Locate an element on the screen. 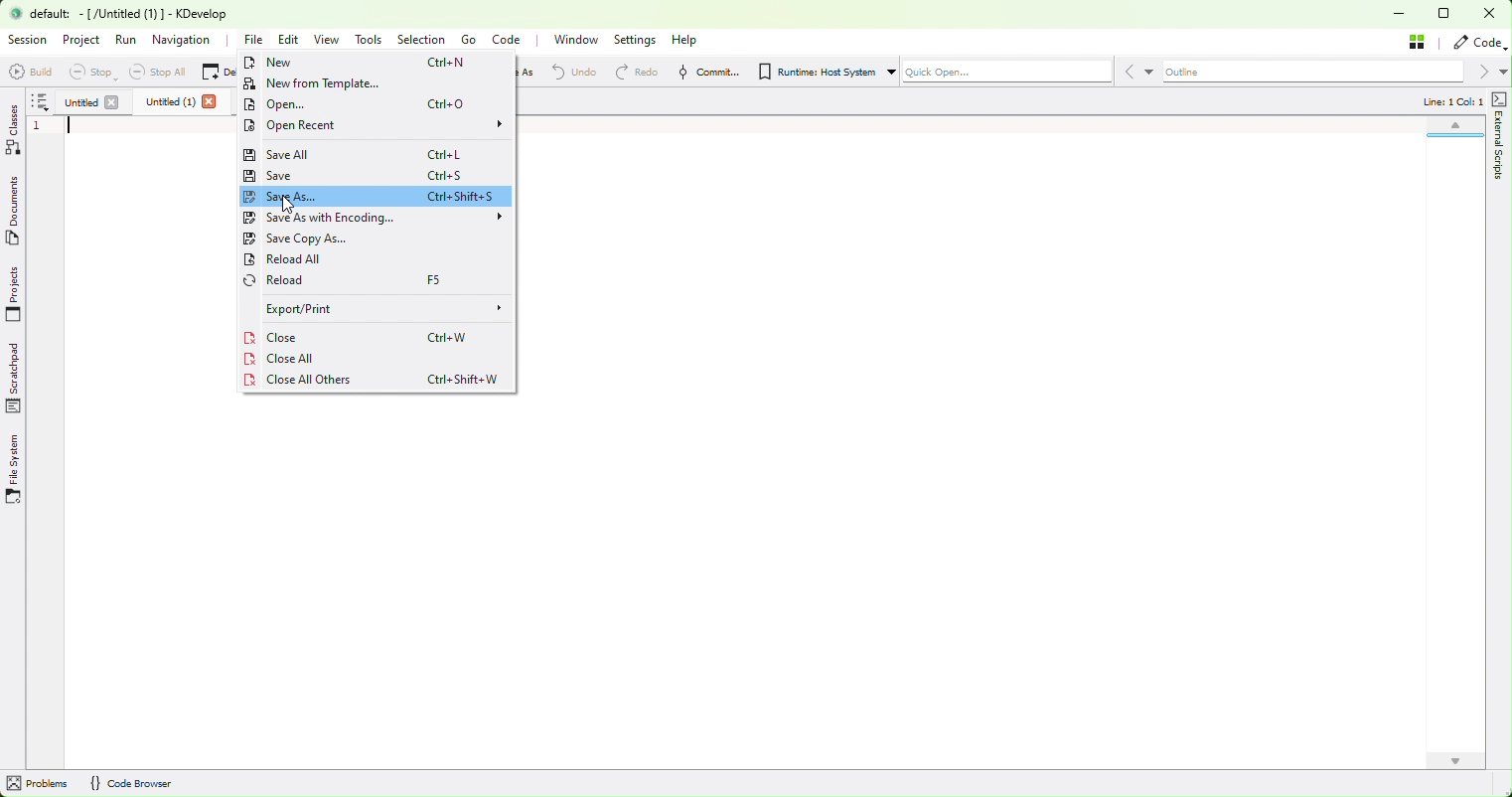  Ctrl+0 is located at coordinates (447, 102).